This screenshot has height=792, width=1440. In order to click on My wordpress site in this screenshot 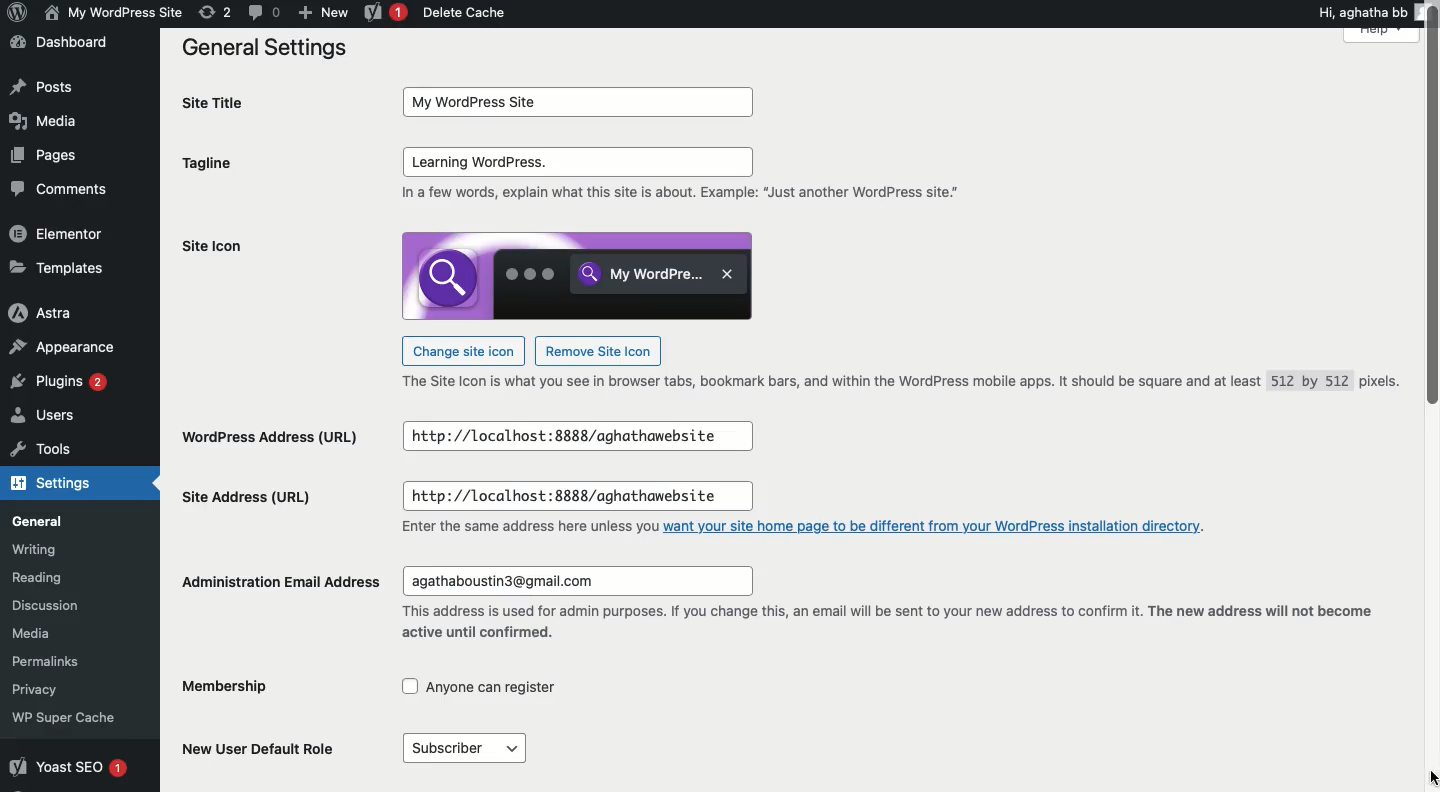, I will do `click(111, 12)`.